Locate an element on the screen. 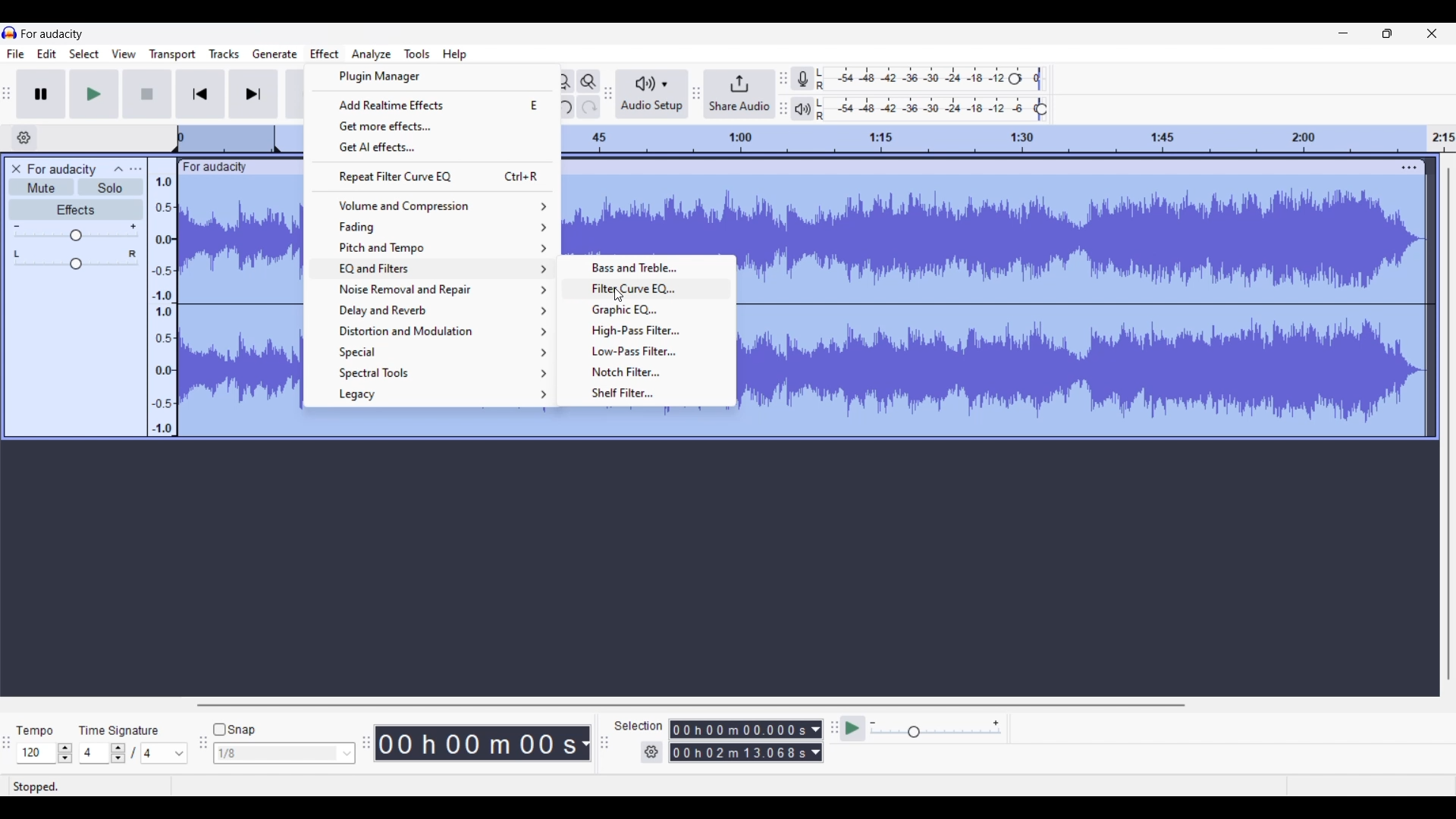  Increase/Decrease time signature is located at coordinates (118, 753).